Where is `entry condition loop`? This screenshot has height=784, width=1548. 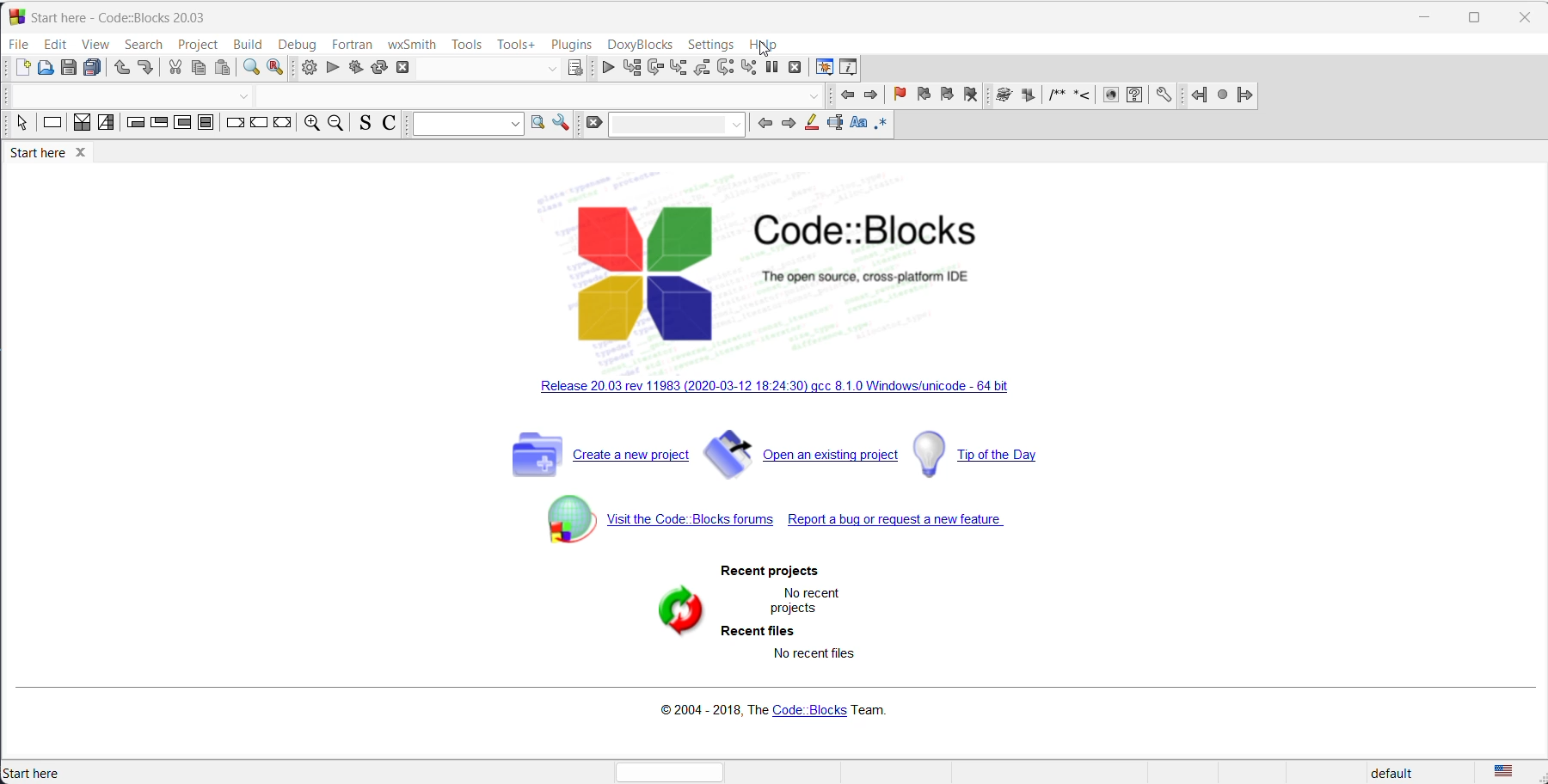
entry condition loop is located at coordinates (133, 126).